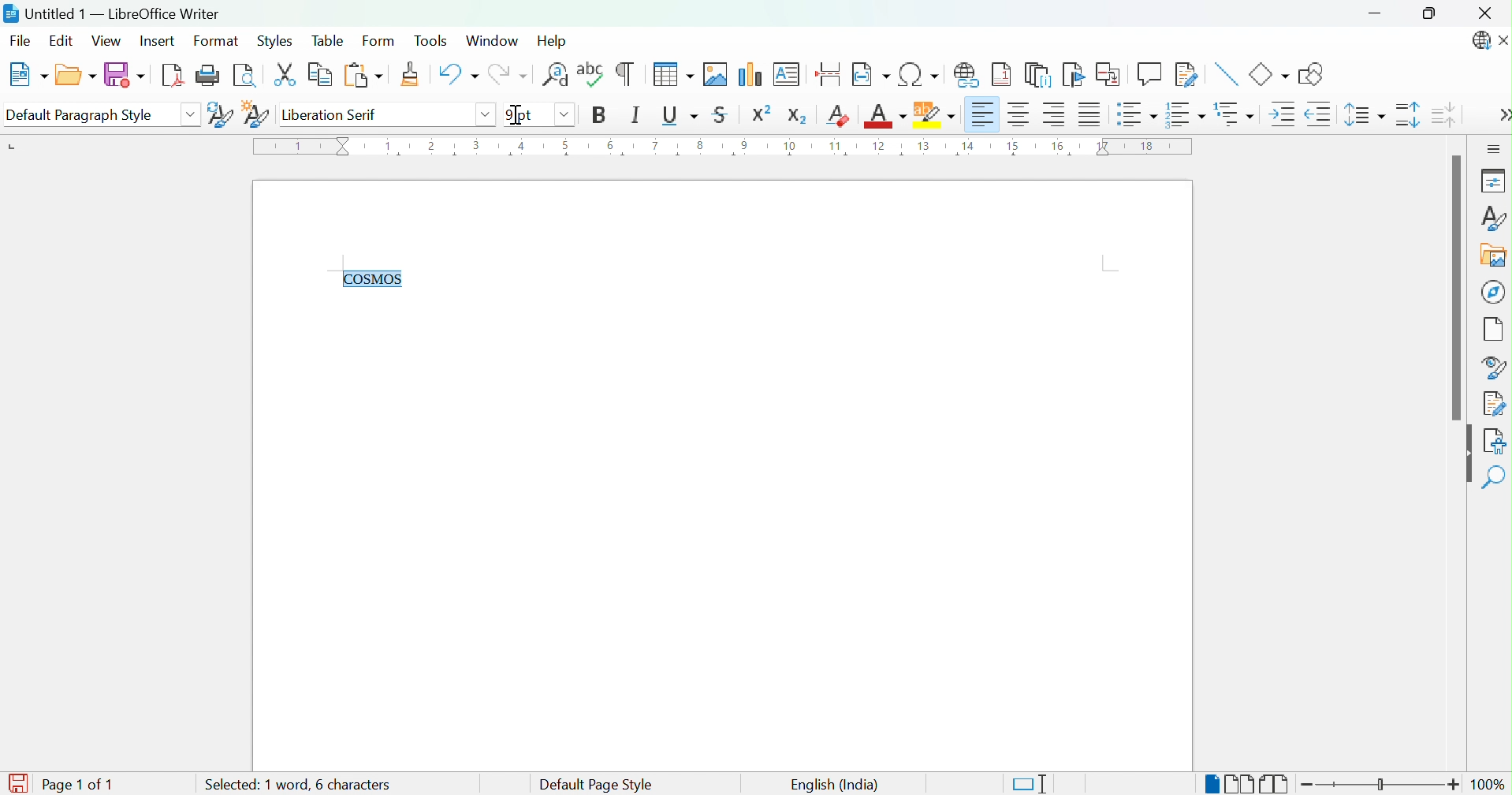 This screenshot has width=1512, height=795. I want to click on LibreOffice Update Available, so click(1478, 43).